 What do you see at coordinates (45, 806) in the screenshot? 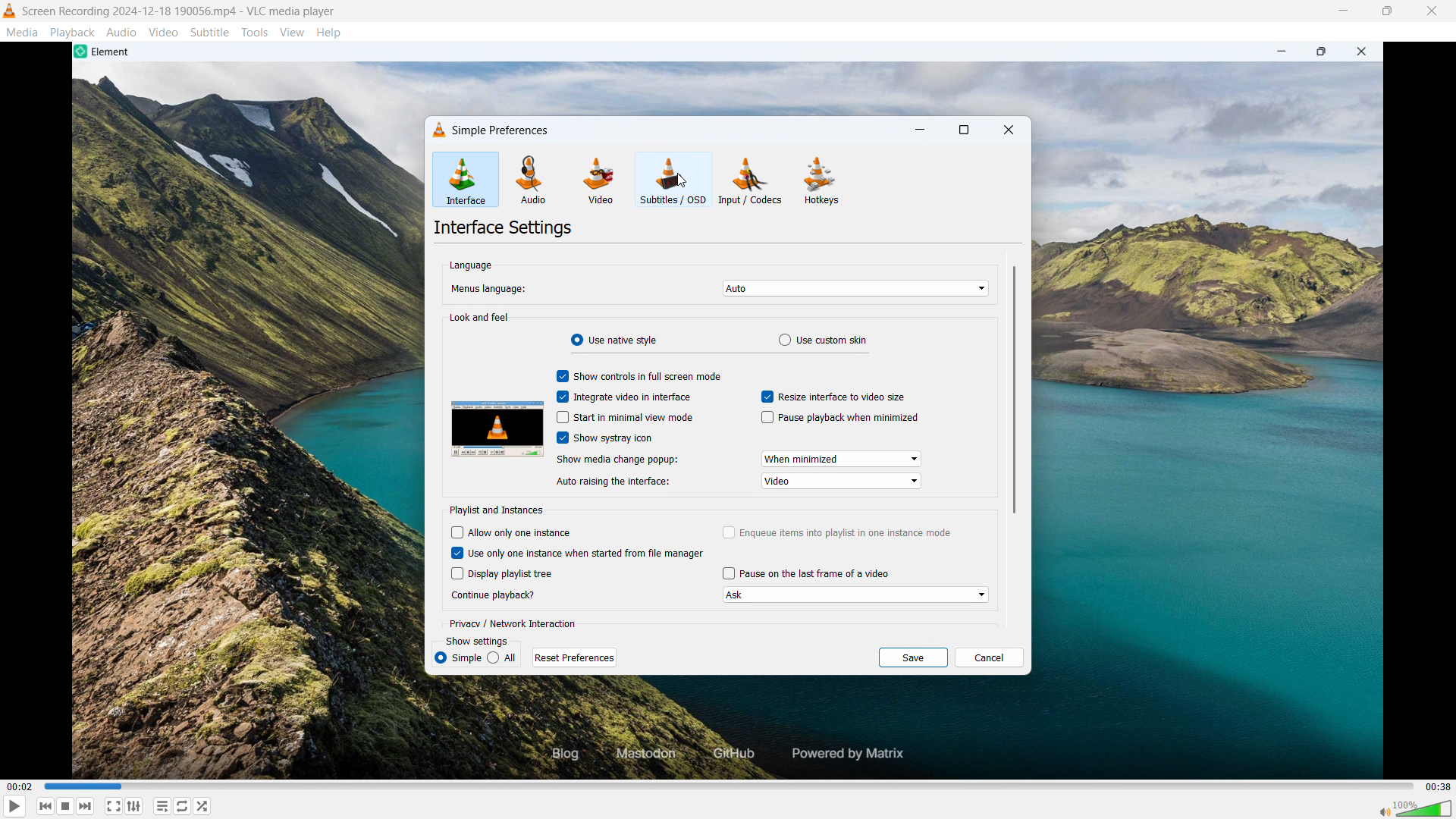
I see `backward or previous media` at bounding box center [45, 806].